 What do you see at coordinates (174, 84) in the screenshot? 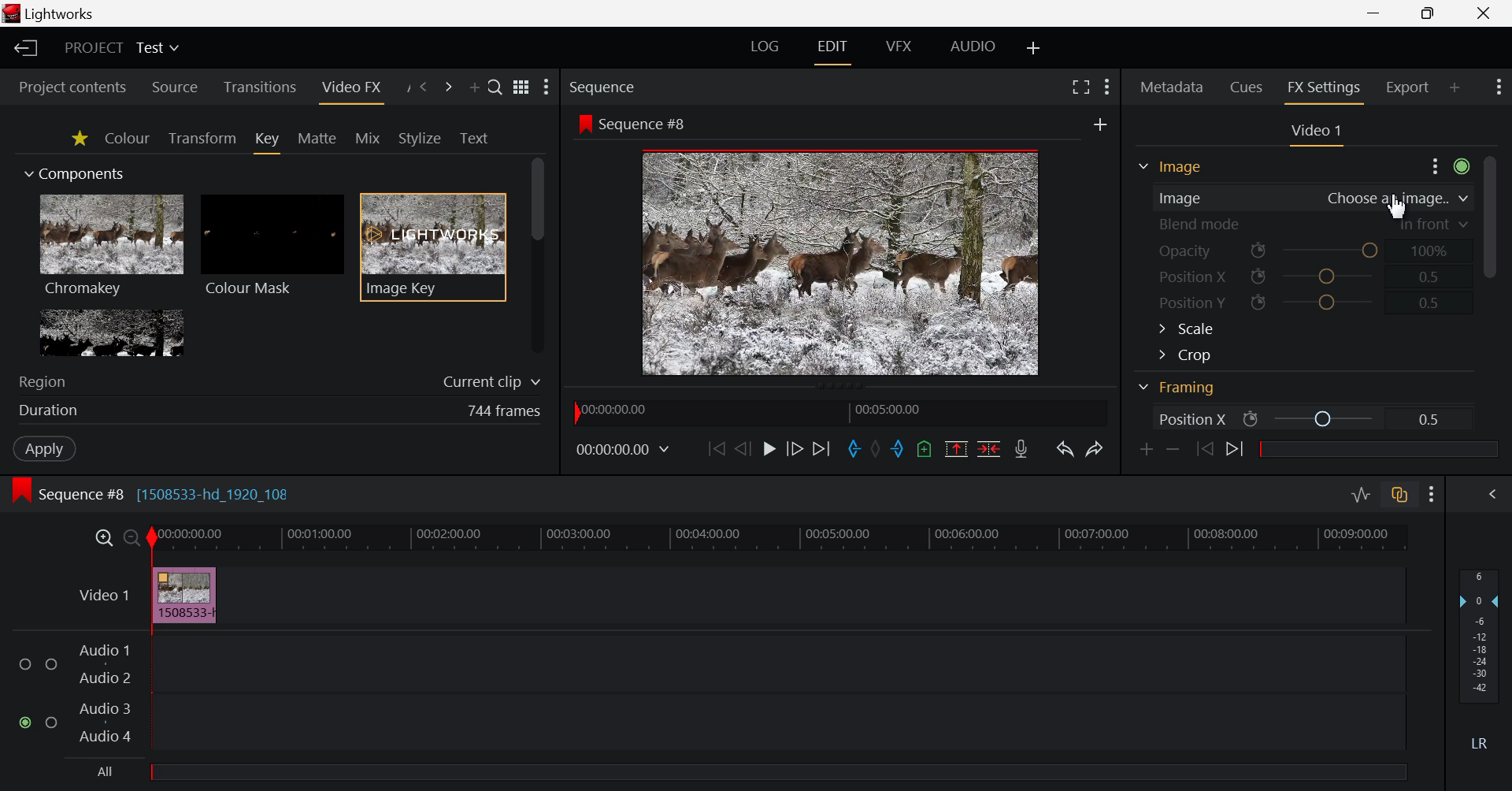
I see `Source` at bounding box center [174, 84].